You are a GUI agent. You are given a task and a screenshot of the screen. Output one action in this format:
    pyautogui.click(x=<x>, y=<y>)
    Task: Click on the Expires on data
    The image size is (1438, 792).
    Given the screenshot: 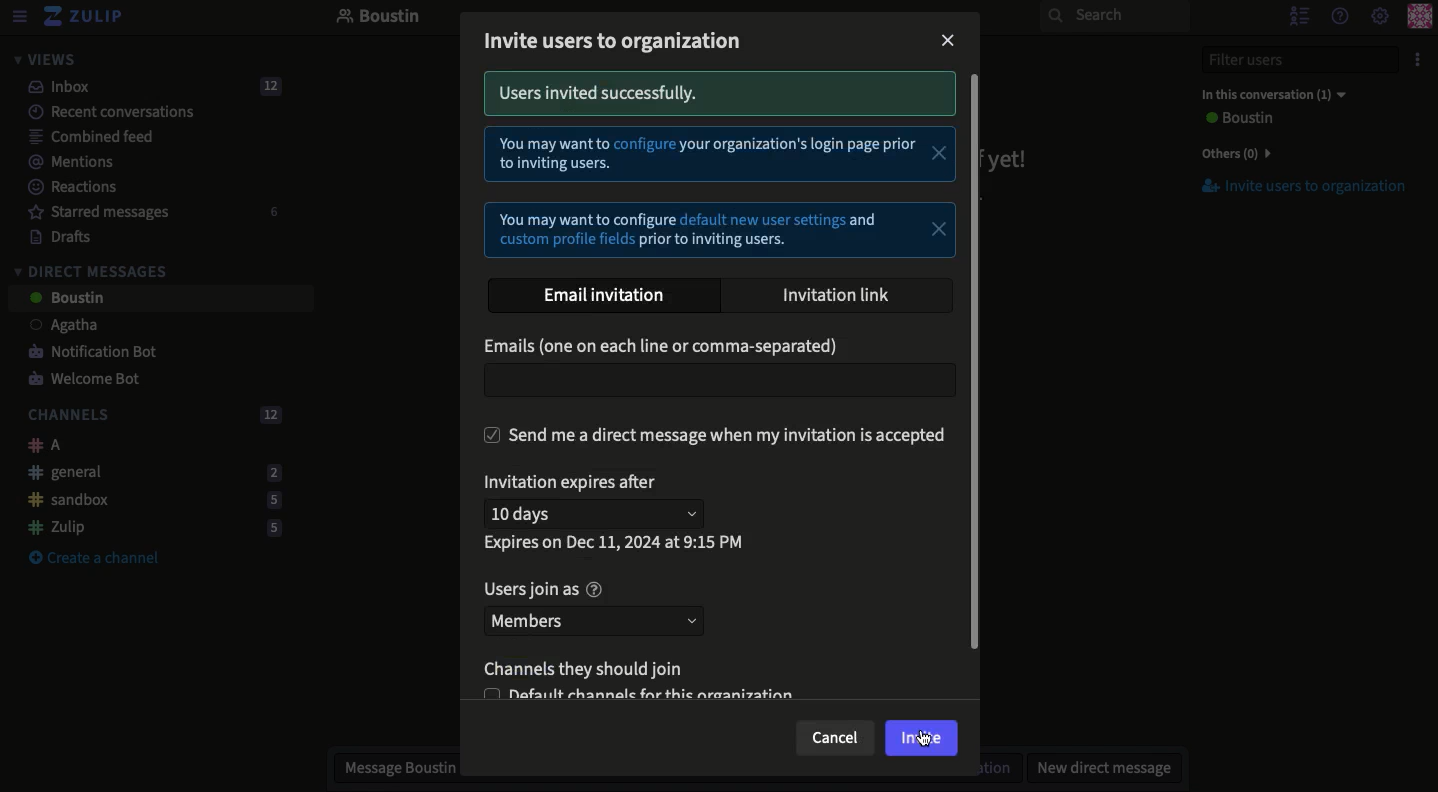 What is the action you would take?
    pyautogui.click(x=619, y=544)
    